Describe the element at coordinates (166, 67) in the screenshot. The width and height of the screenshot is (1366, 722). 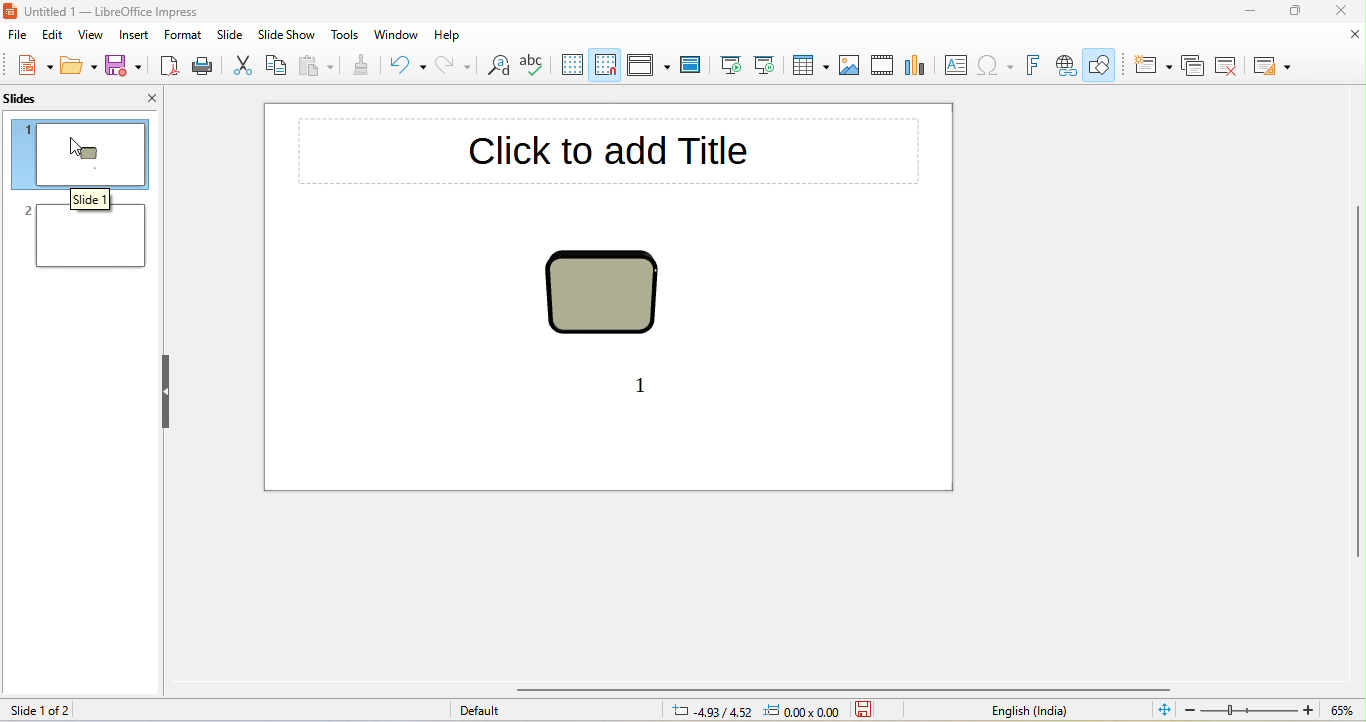
I see `export directly as pdf` at that location.